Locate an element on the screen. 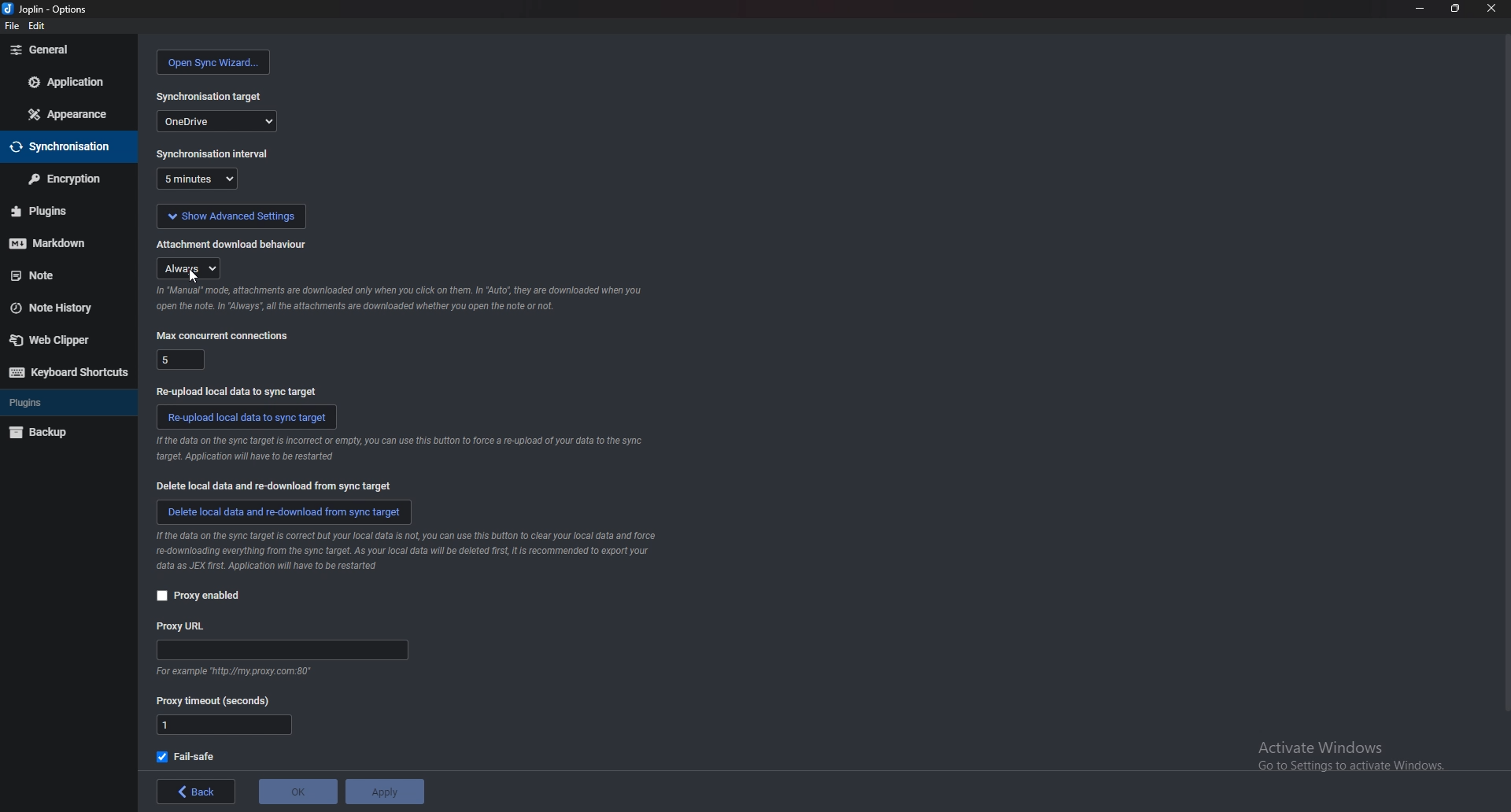 This screenshot has height=812, width=1511. scroll bar is located at coordinates (1505, 376).